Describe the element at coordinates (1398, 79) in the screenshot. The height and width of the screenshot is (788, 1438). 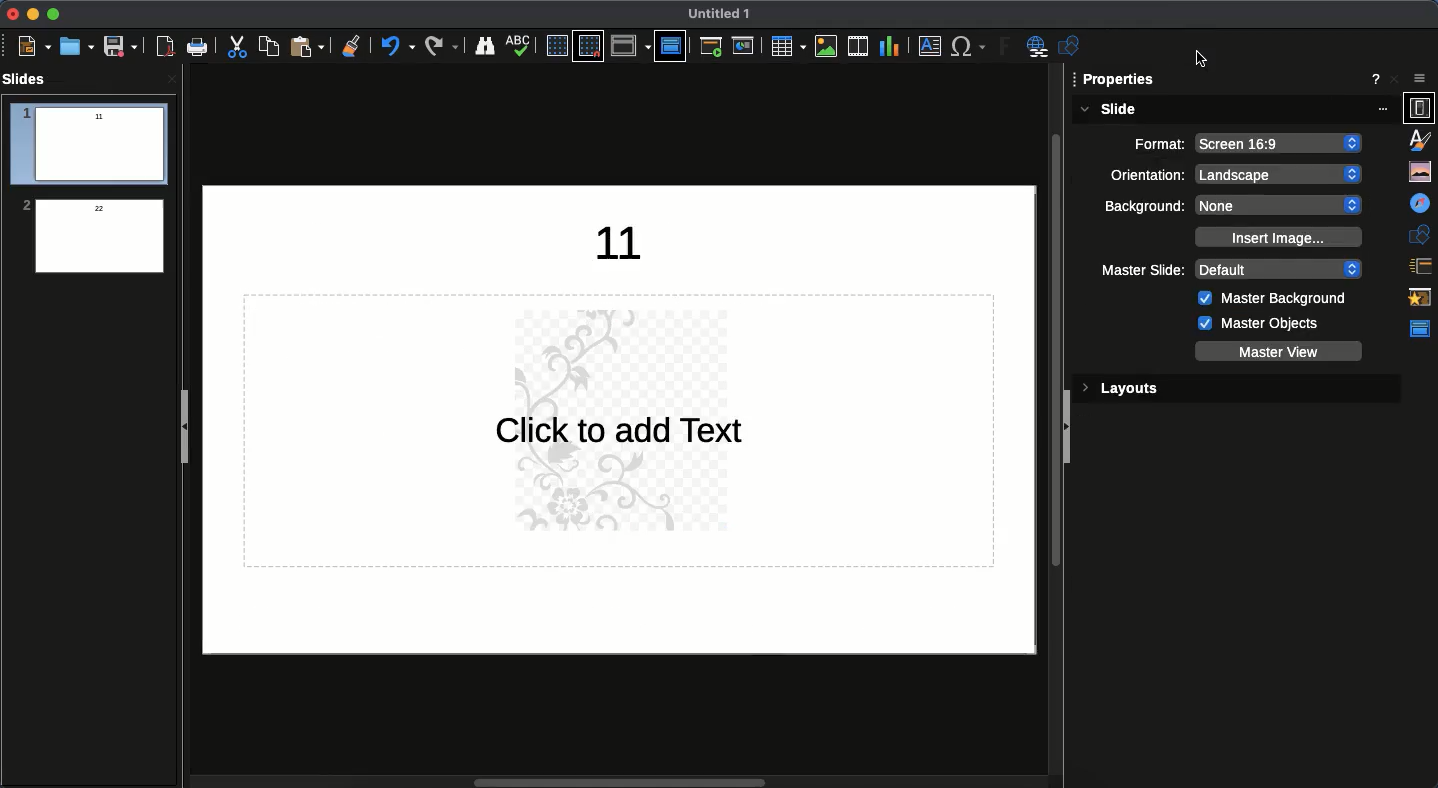
I see `Close` at that location.